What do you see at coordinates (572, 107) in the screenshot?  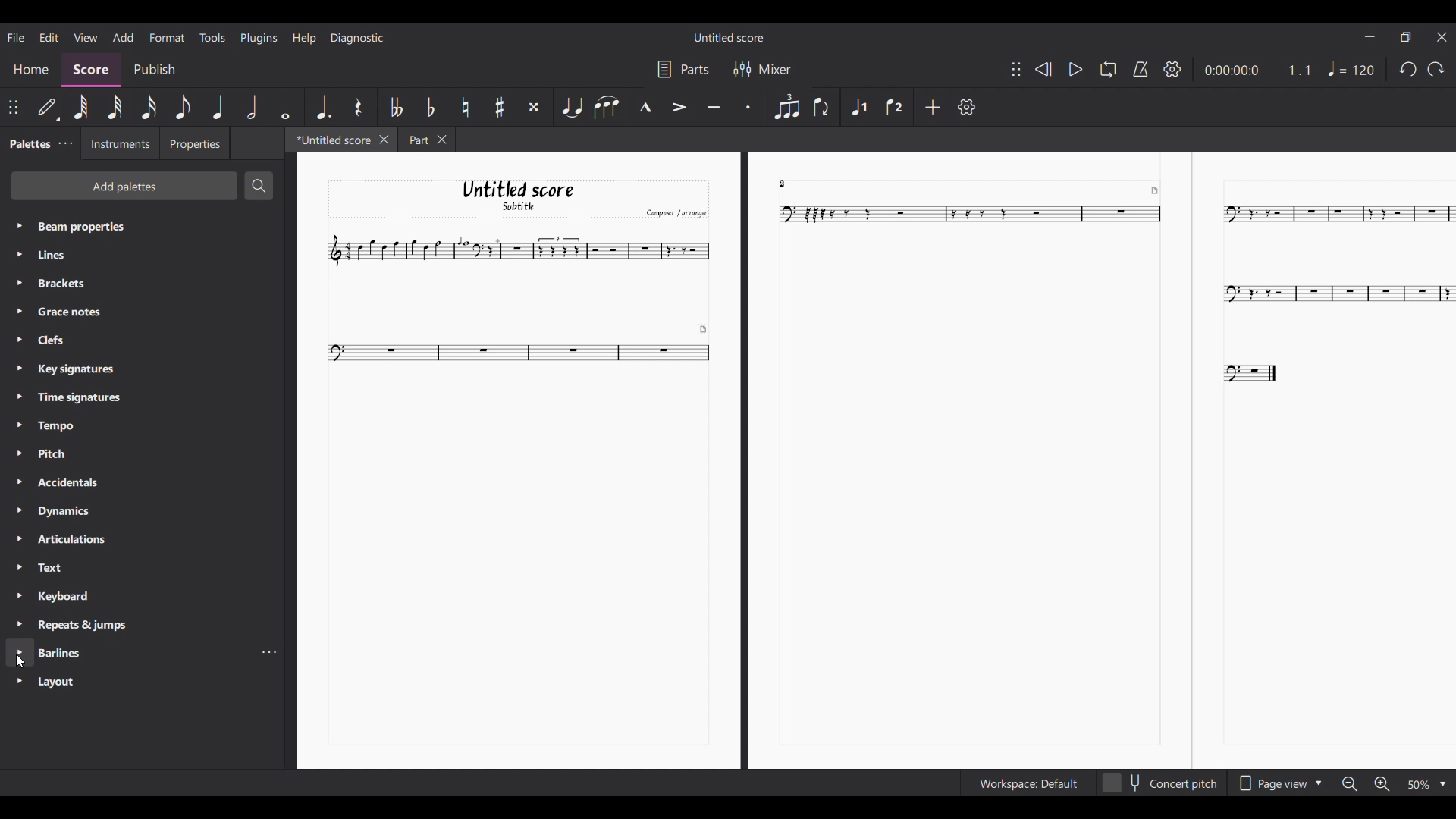 I see `Tie` at bounding box center [572, 107].